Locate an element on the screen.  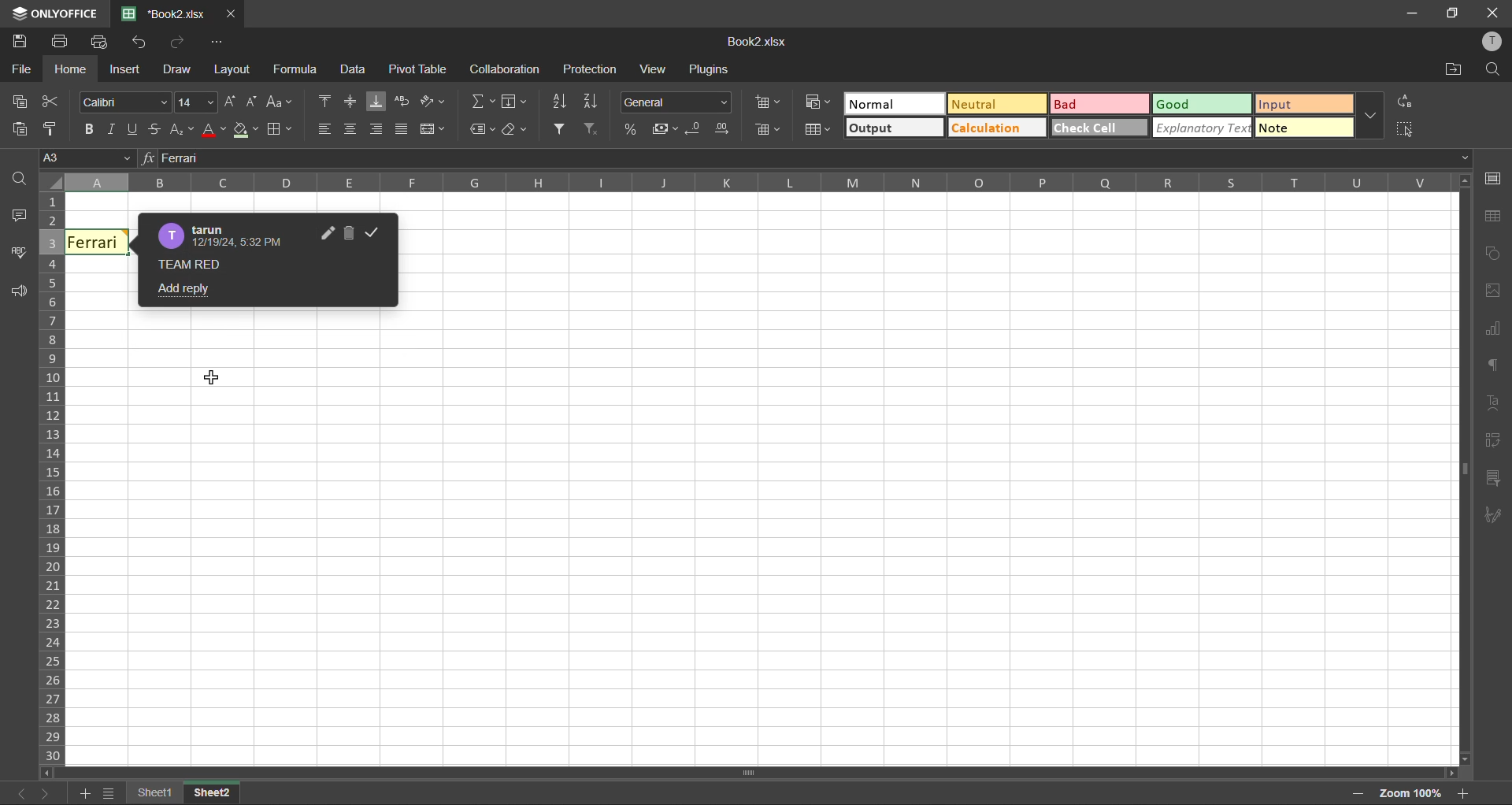
cell address is located at coordinates (89, 160).